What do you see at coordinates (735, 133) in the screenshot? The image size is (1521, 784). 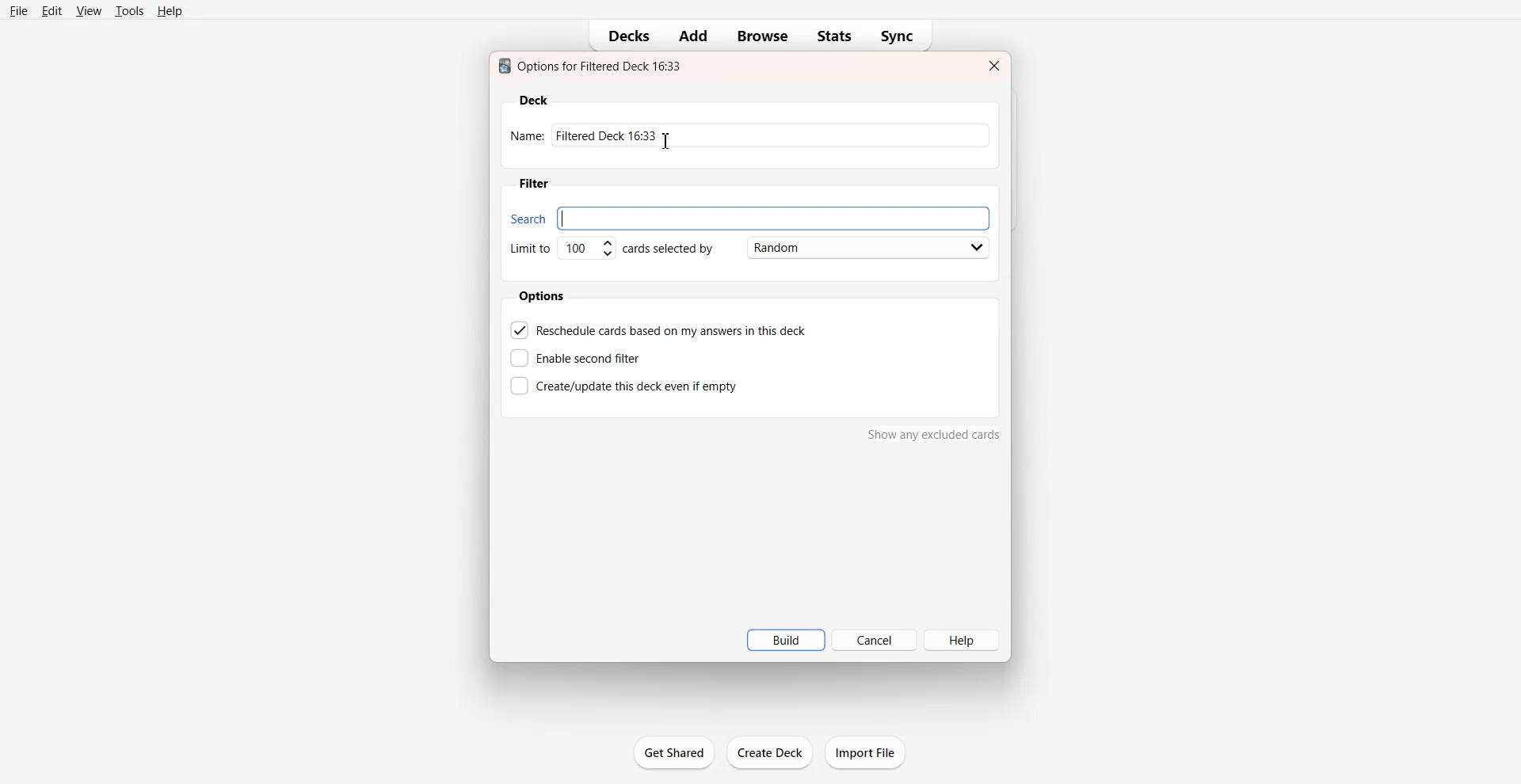 I see `Enter Name` at bounding box center [735, 133].